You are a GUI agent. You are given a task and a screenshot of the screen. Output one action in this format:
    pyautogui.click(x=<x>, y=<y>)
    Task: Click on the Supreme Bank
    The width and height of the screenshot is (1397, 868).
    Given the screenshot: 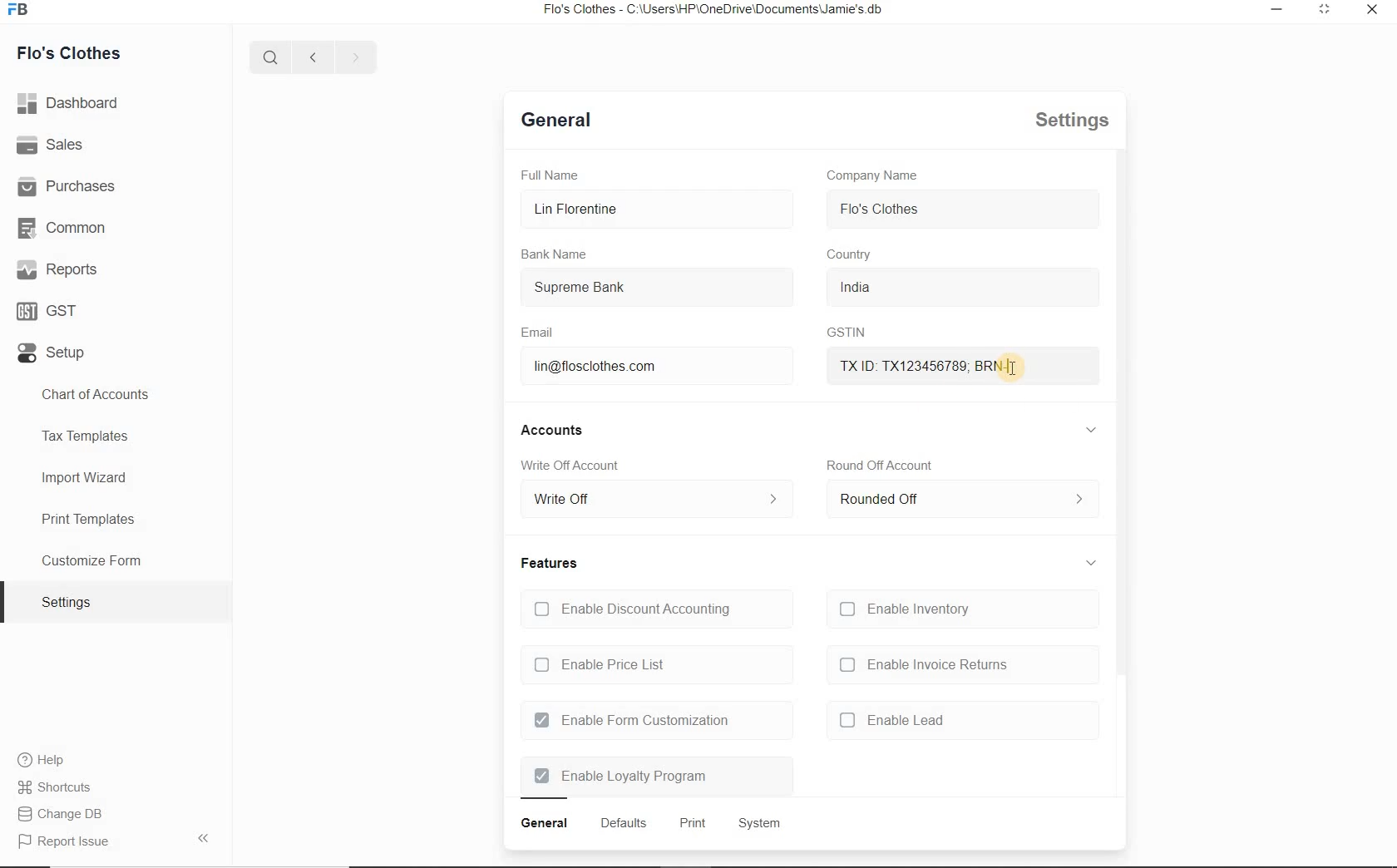 What is the action you would take?
    pyautogui.click(x=633, y=289)
    